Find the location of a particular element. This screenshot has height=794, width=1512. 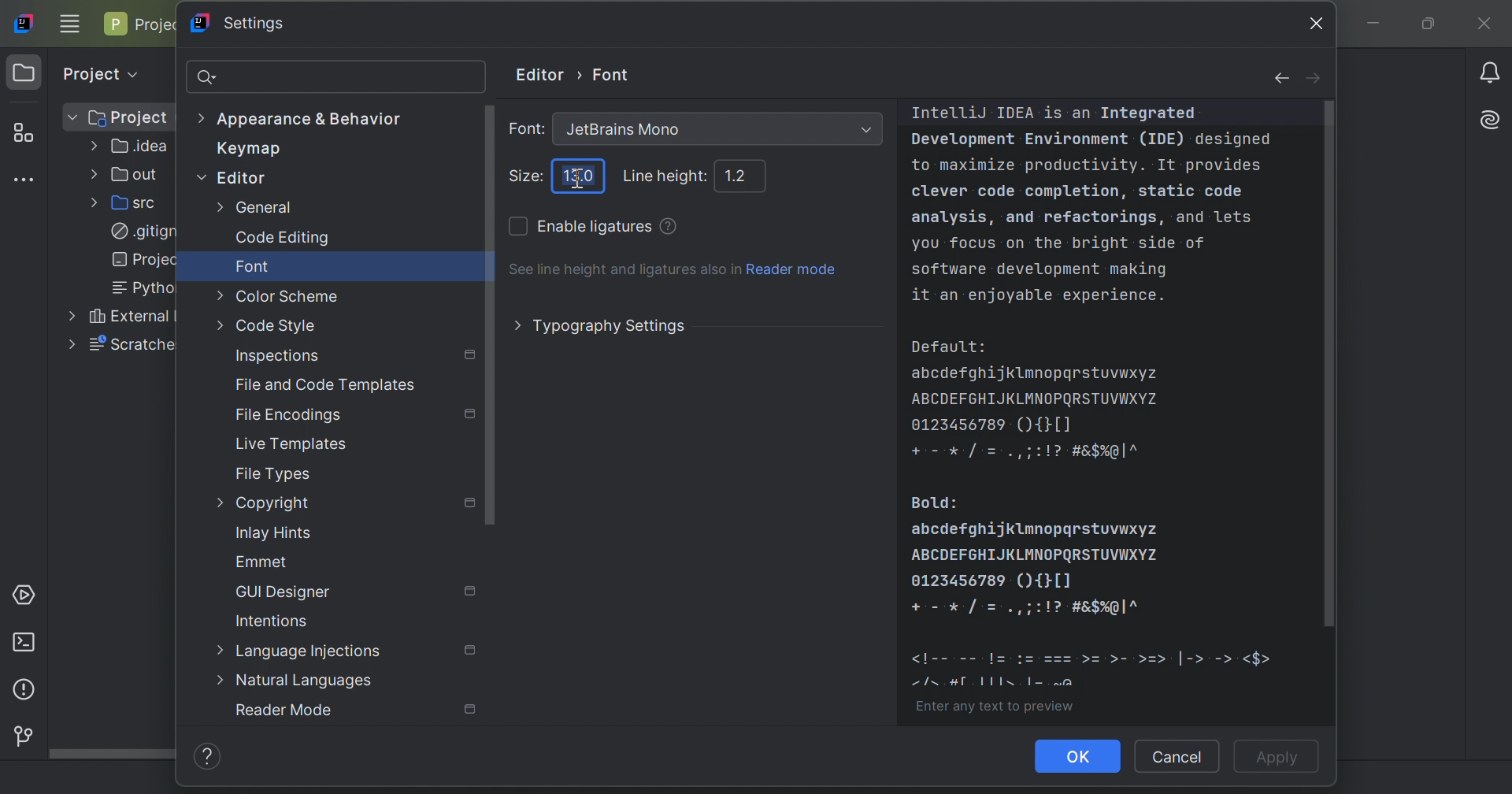

See line height and ligatures also in Reader mode is located at coordinates (673, 269).